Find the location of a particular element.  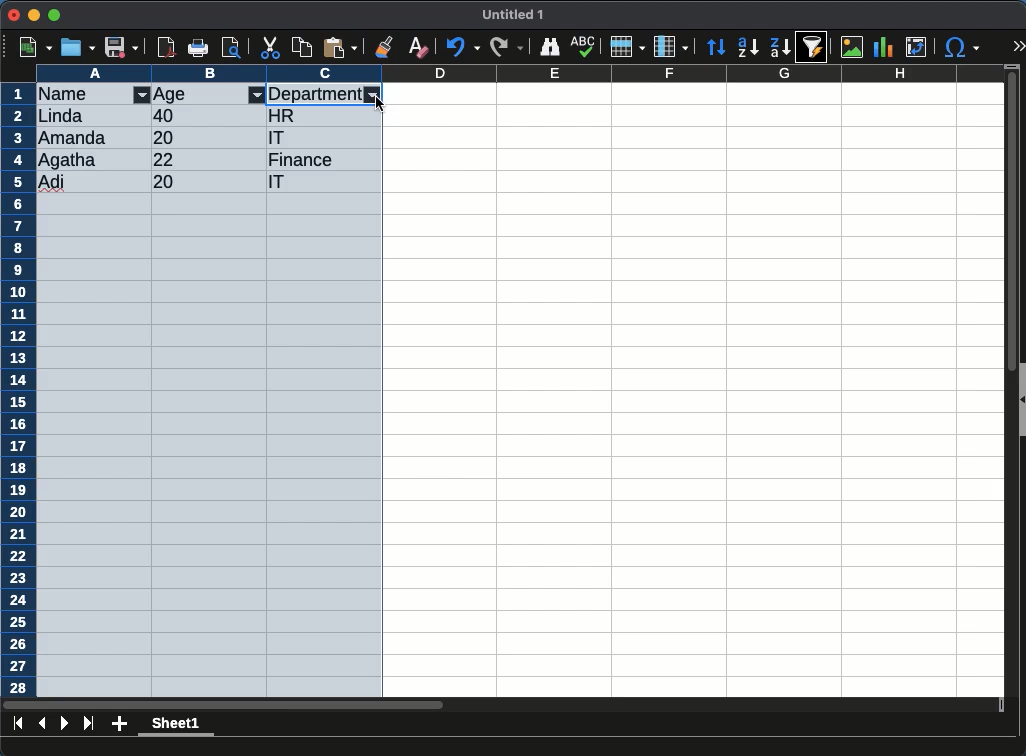

first sheet is located at coordinates (18, 723).